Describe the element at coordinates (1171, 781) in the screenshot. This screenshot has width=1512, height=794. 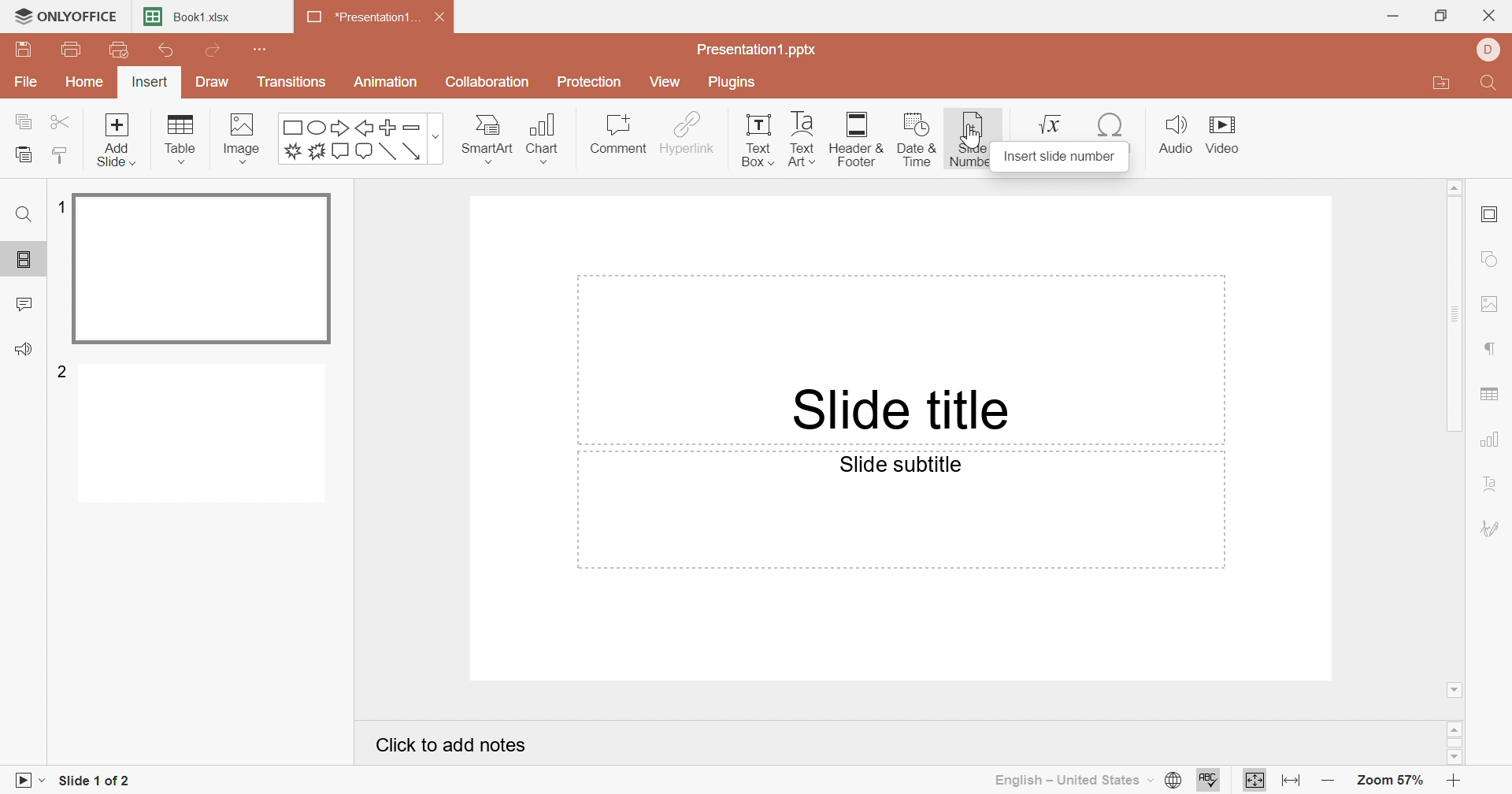
I see `Set document language` at that location.